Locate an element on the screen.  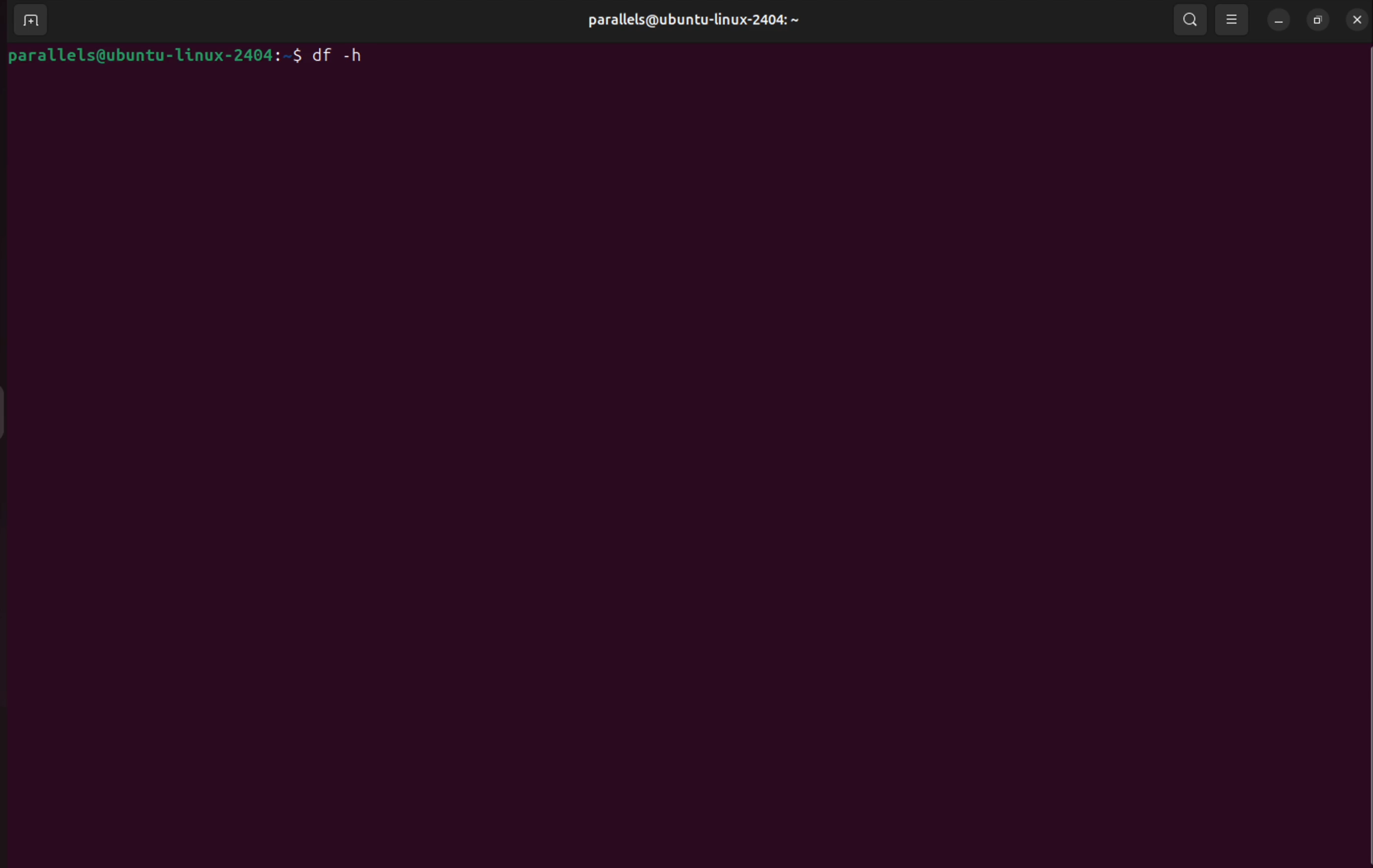
parallels@ubuntu-linux-2404:~ is located at coordinates (697, 19).